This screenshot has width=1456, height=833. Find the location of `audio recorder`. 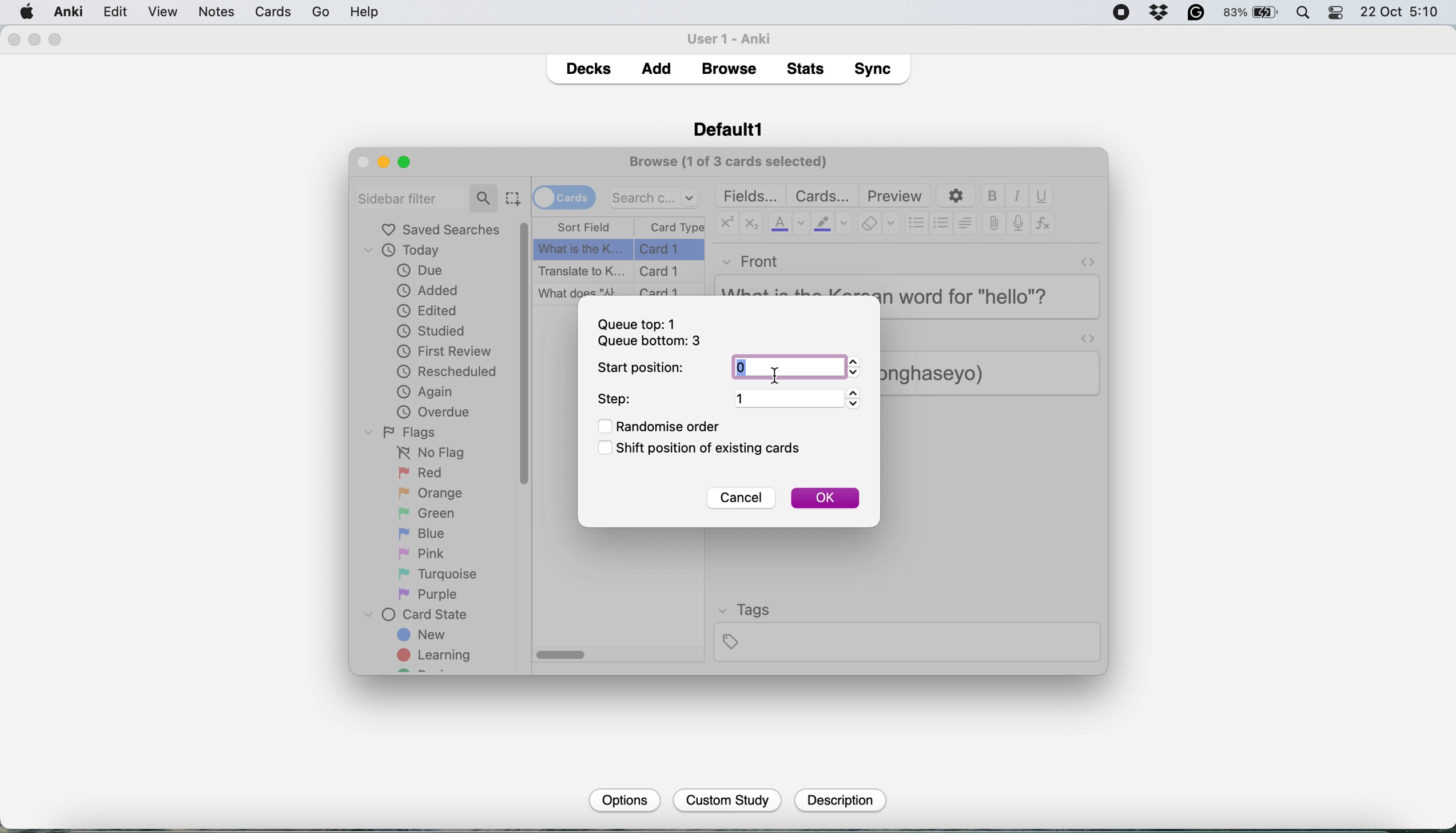

audio recorder is located at coordinates (1017, 225).